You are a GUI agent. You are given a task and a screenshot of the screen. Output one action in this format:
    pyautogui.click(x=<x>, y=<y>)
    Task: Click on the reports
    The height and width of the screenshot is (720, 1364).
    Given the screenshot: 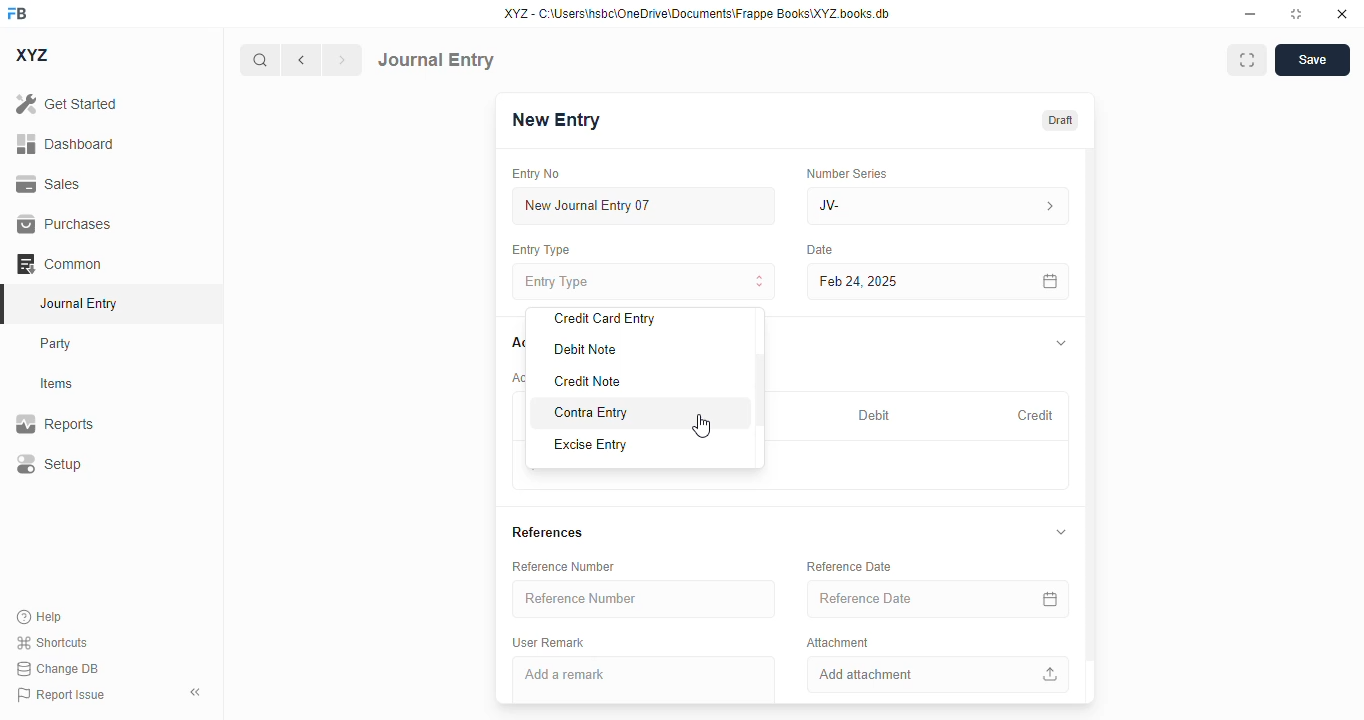 What is the action you would take?
    pyautogui.click(x=55, y=423)
    